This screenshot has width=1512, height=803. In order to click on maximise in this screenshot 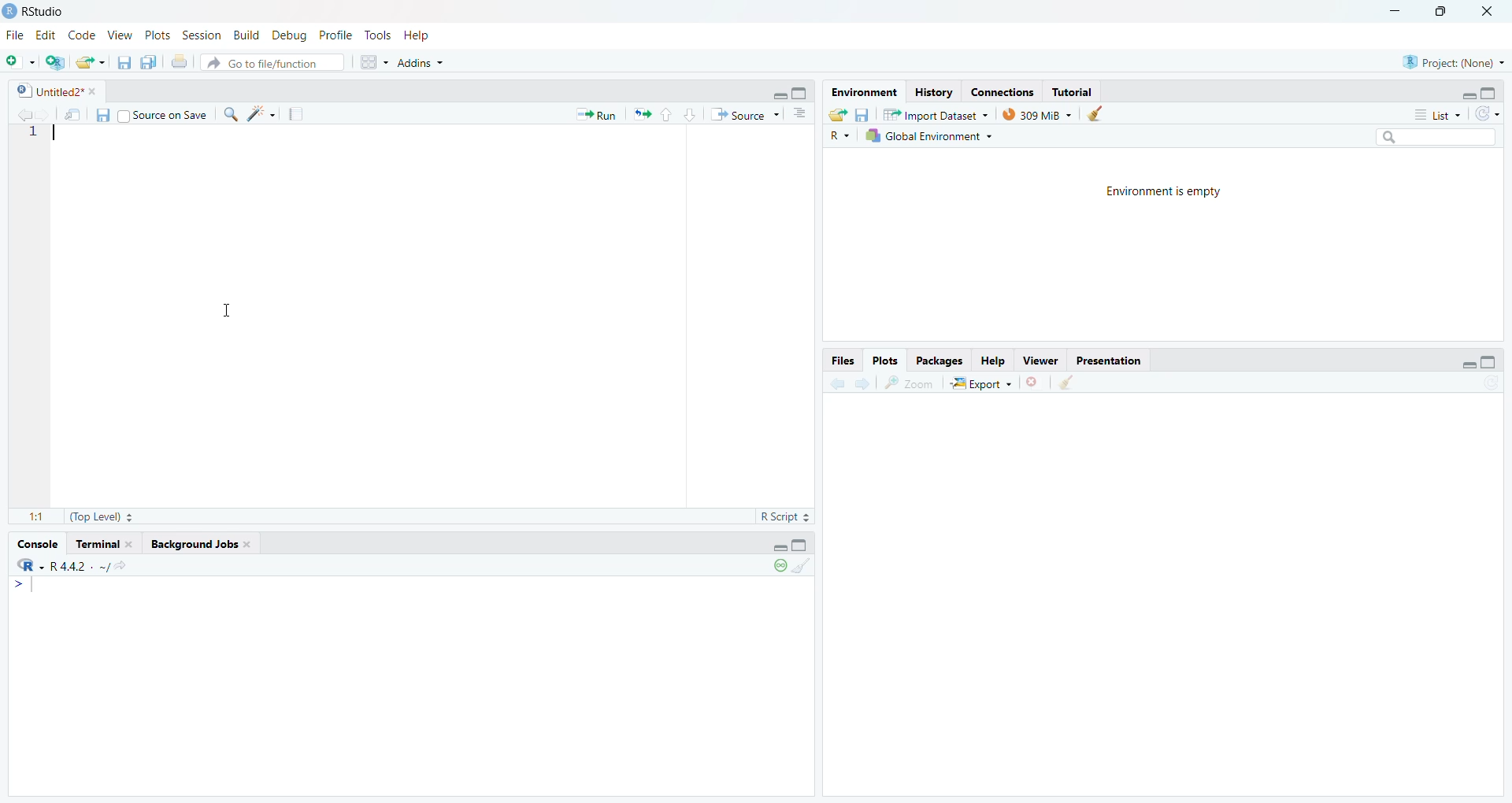, I will do `click(805, 546)`.